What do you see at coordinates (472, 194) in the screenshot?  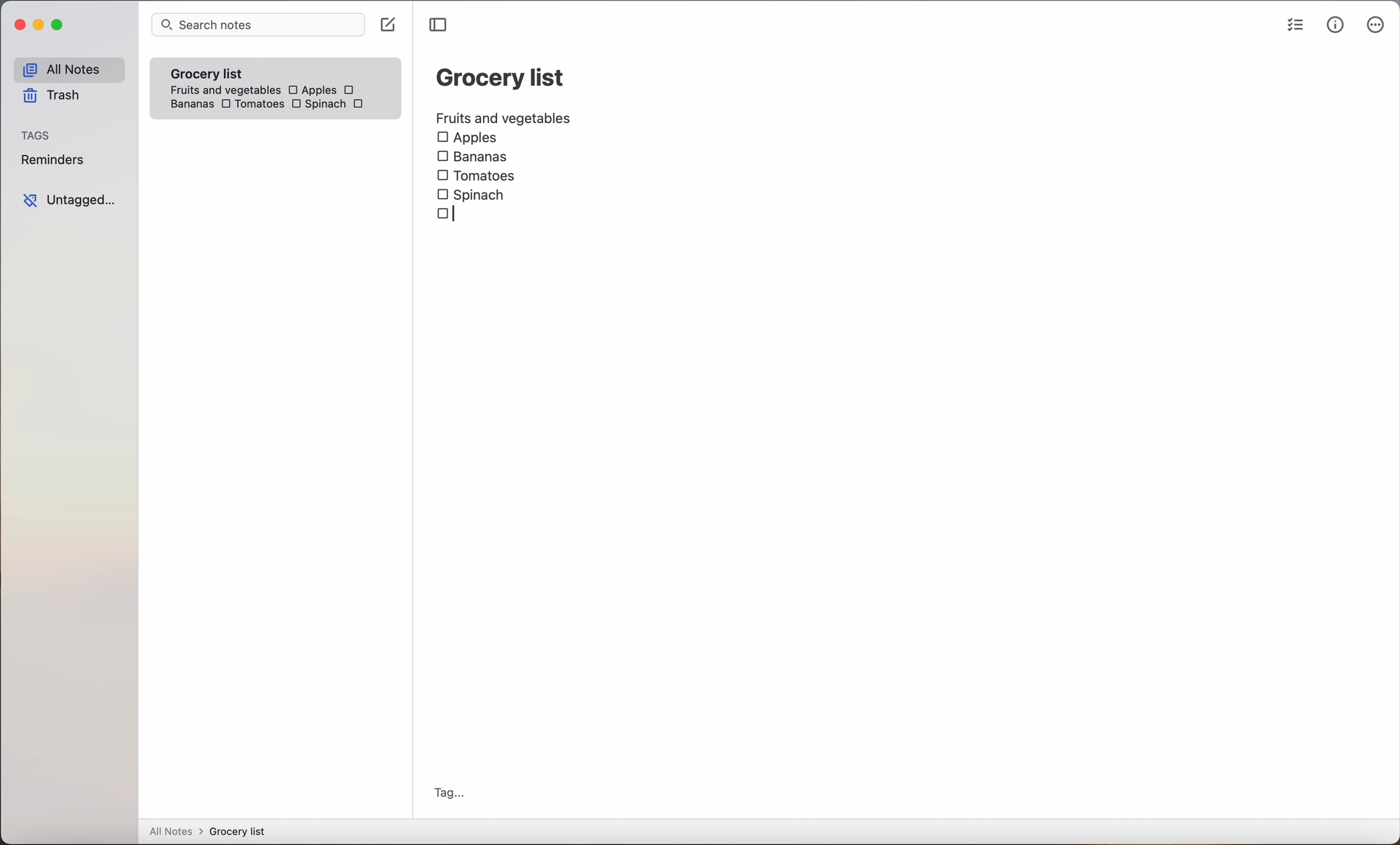 I see `Spinach checkbox` at bounding box center [472, 194].